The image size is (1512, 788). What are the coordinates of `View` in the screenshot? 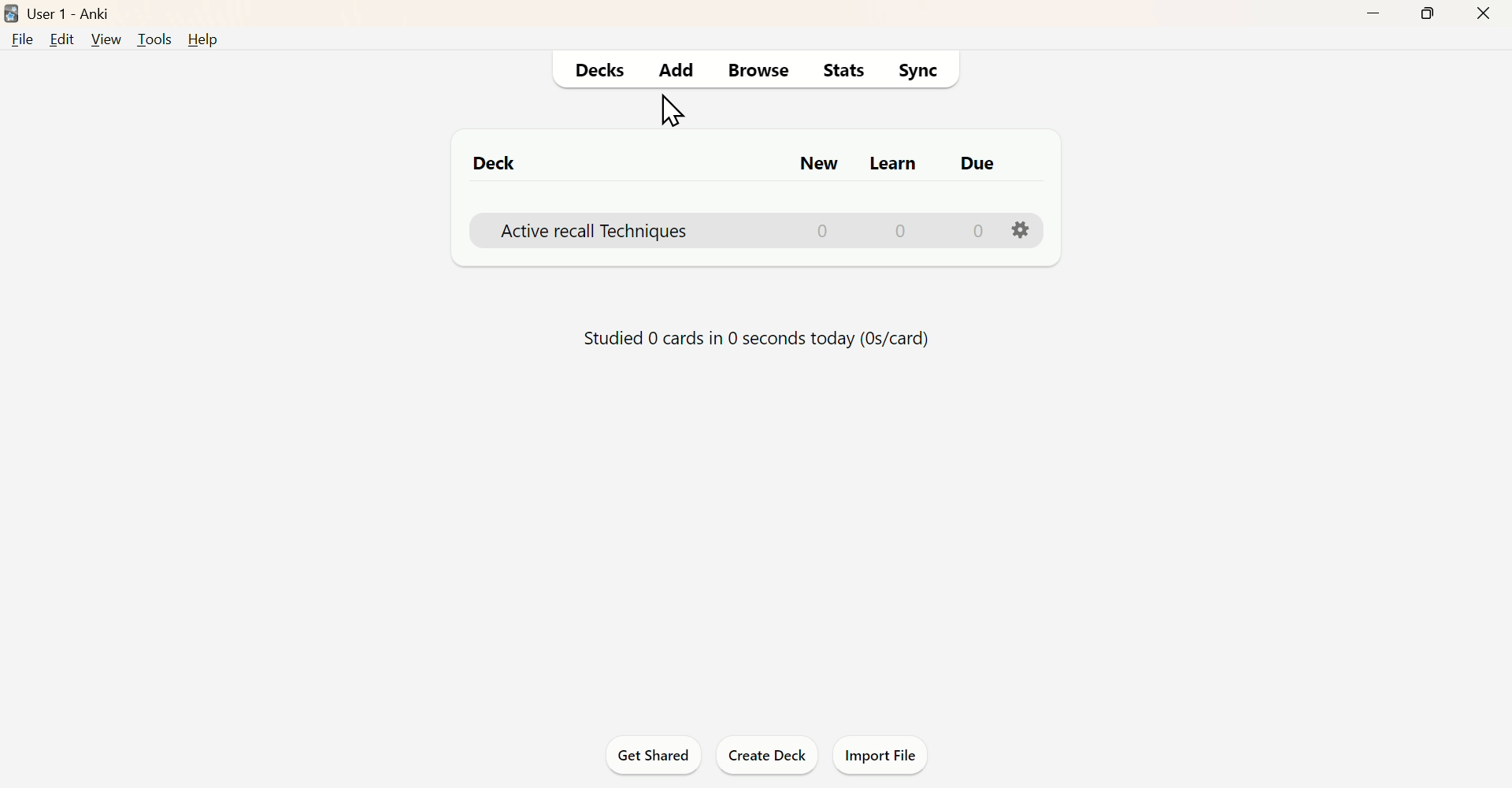 It's located at (102, 40).